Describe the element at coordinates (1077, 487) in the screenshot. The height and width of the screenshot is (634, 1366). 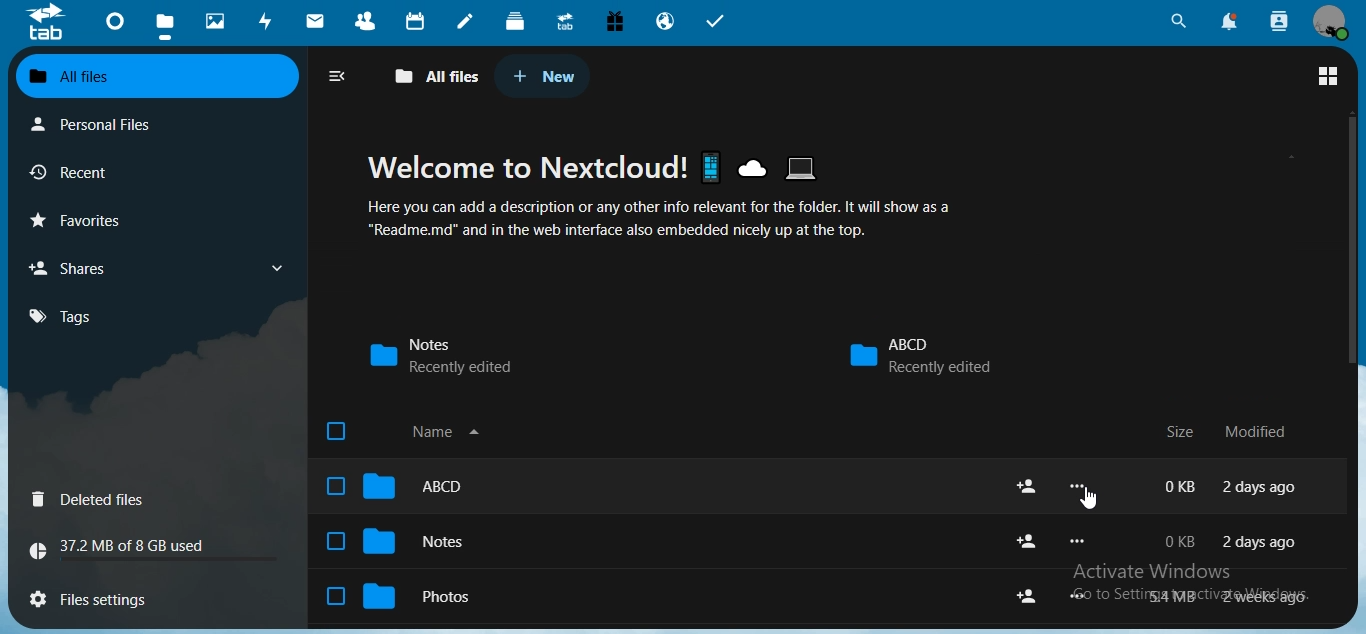
I see `...` at that location.